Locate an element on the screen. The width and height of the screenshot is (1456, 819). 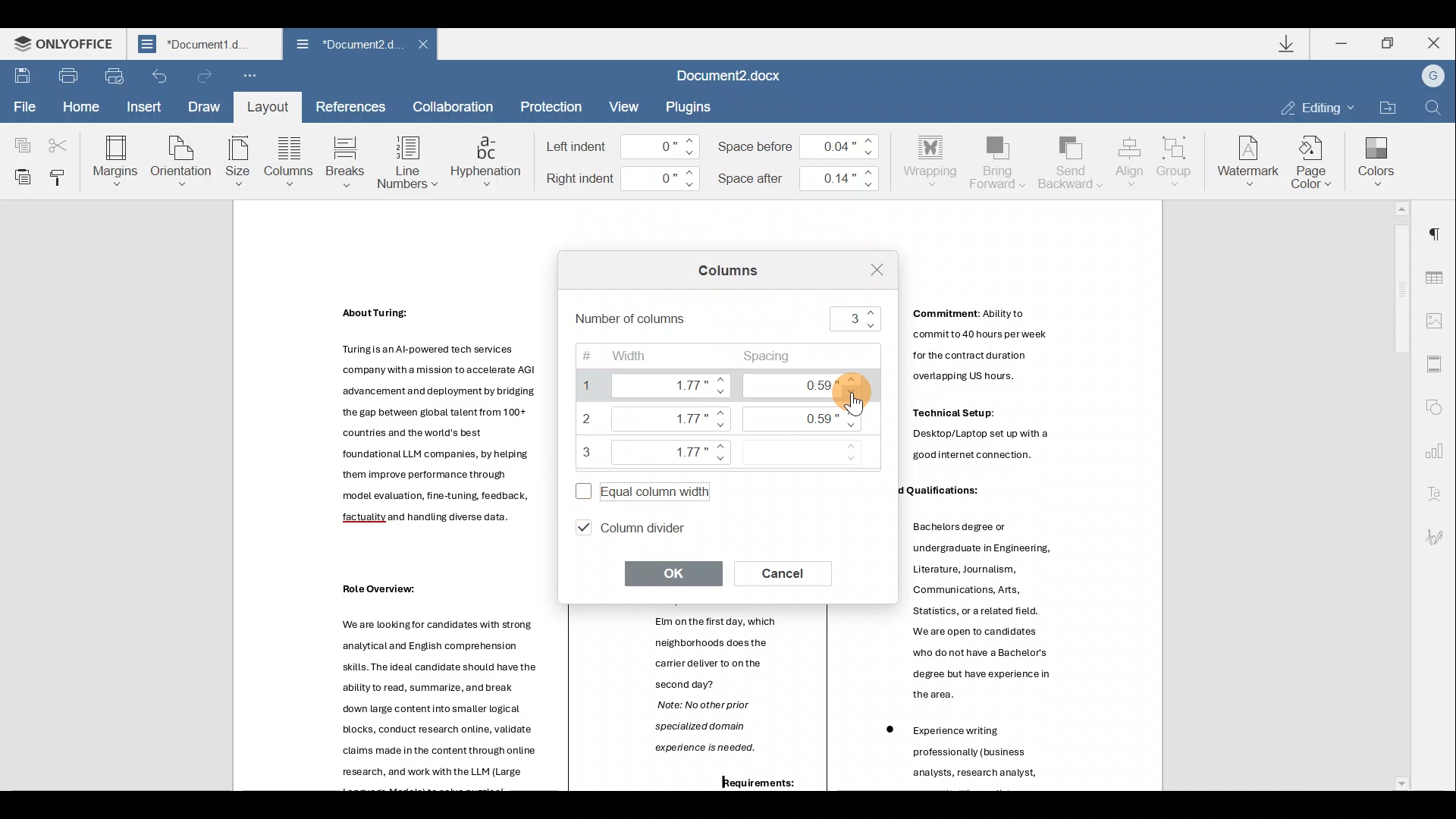
Column is located at coordinates (291, 165).